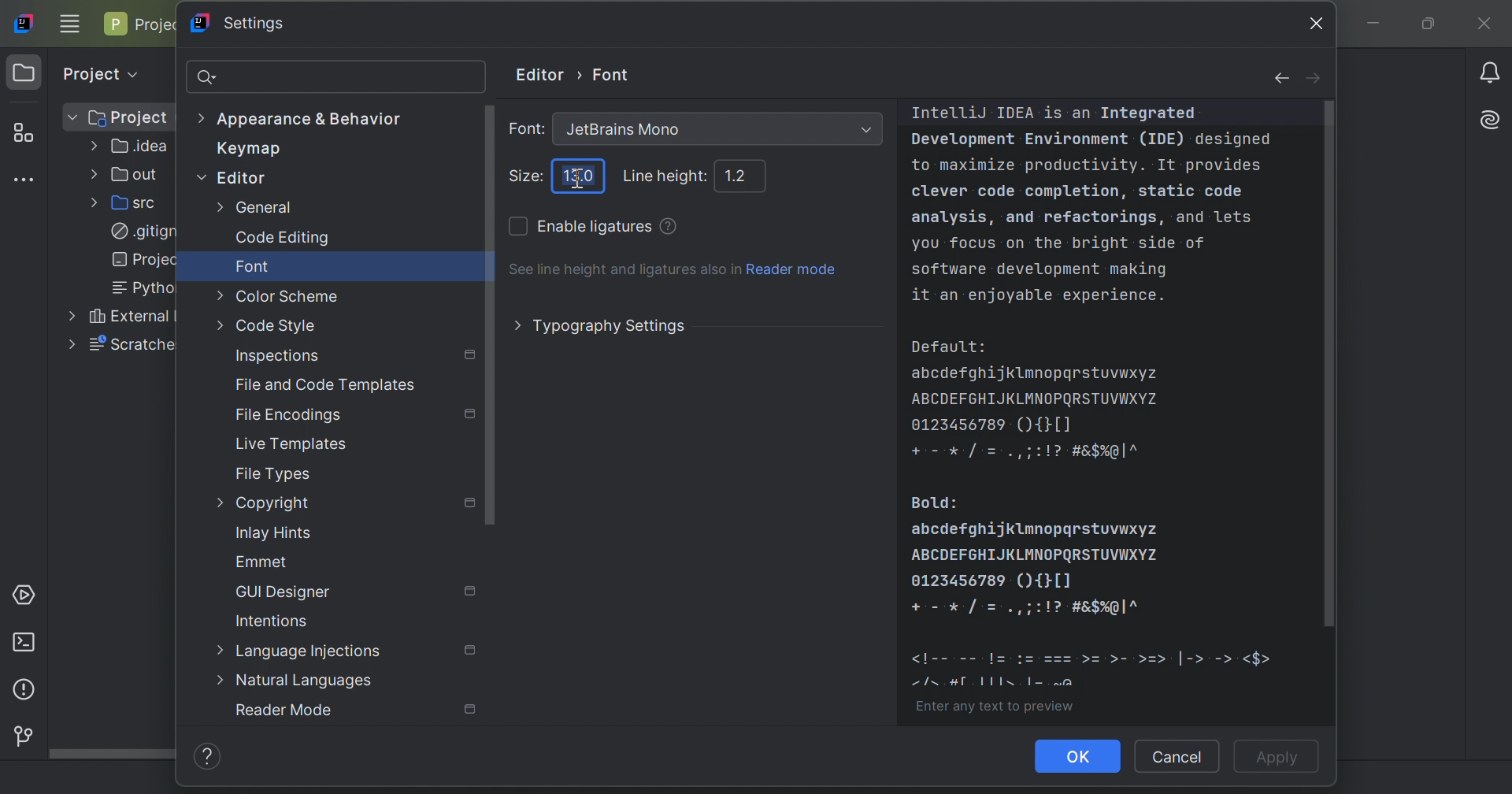 This screenshot has width=1512, height=794. Describe the element at coordinates (1095, 670) in the screenshot. I see `icons` at that location.